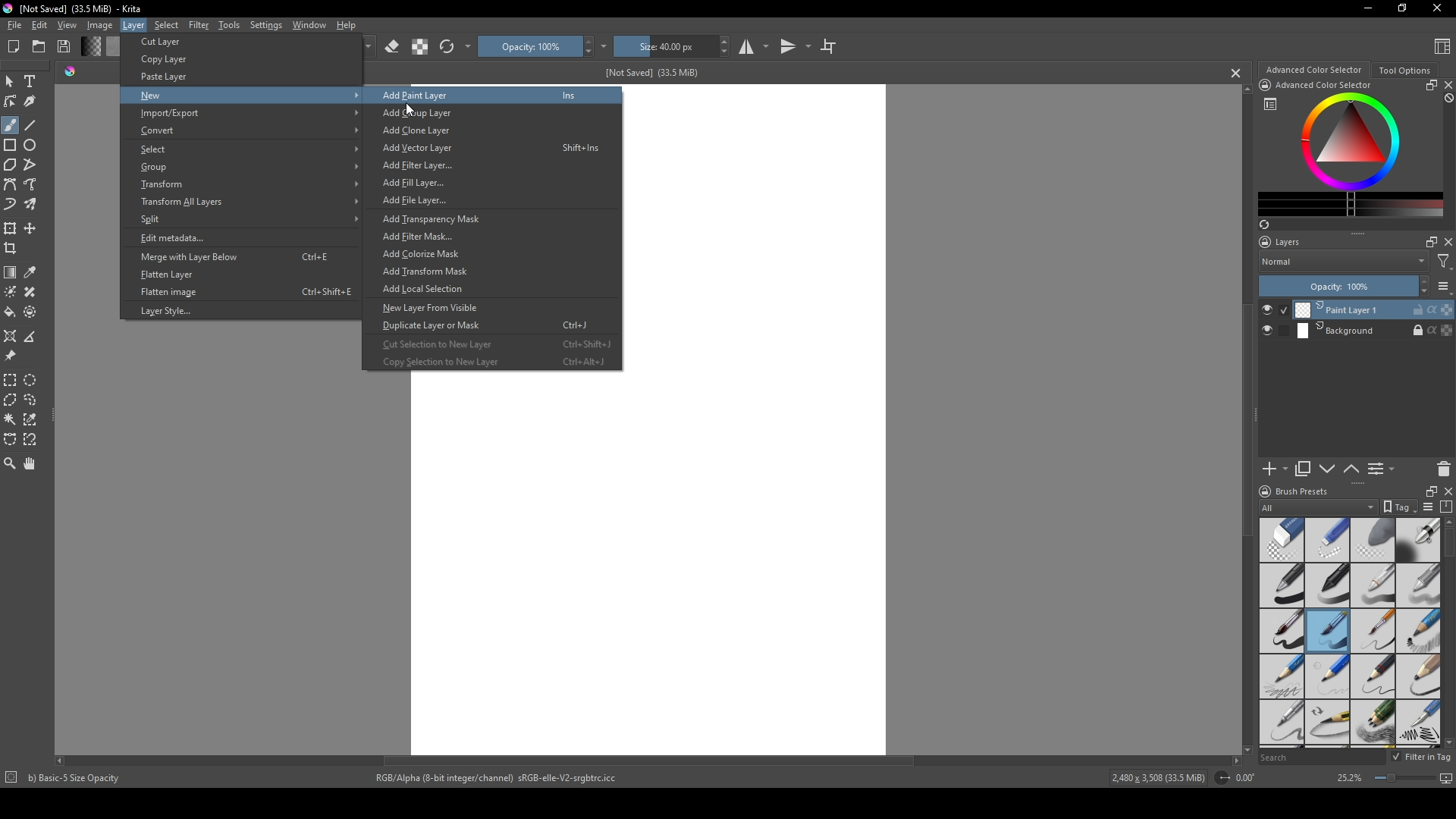 The height and width of the screenshot is (819, 1456). Describe the element at coordinates (11, 440) in the screenshot. I see `bezier curve` at that location.